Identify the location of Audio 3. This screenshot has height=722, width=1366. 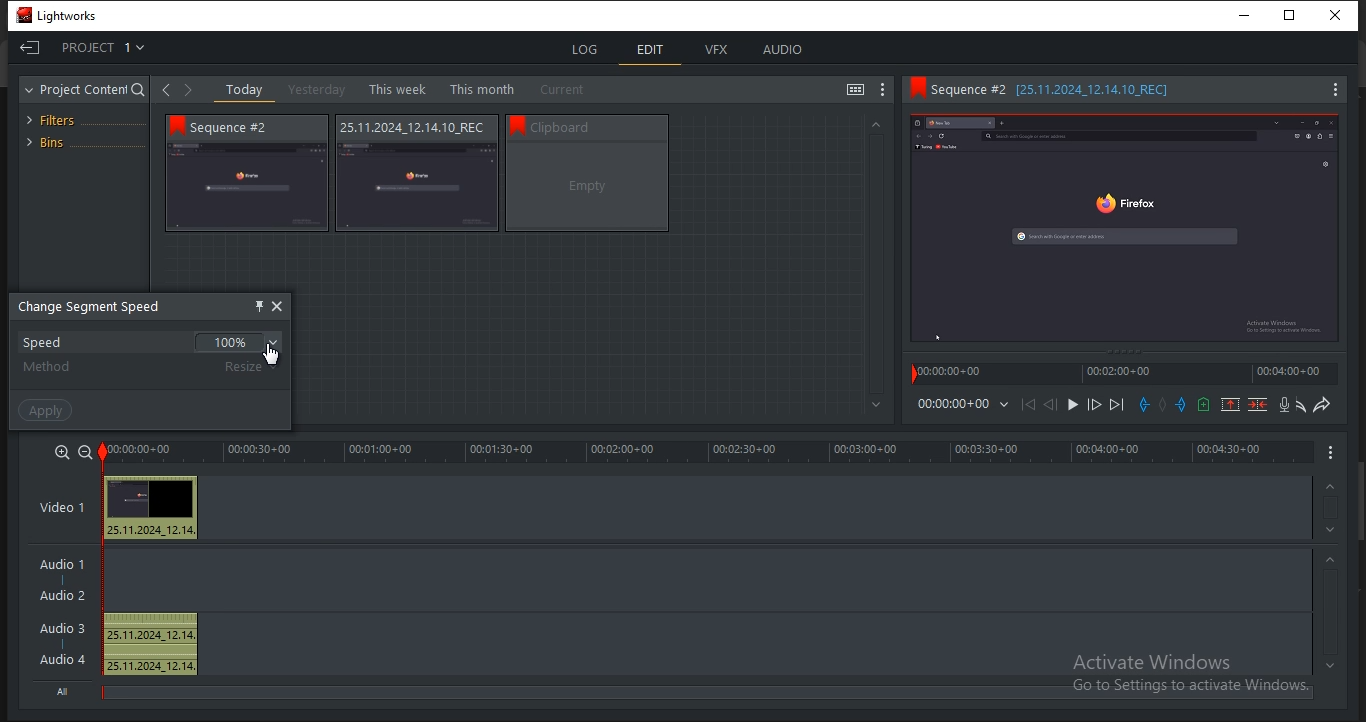
(61, 629).